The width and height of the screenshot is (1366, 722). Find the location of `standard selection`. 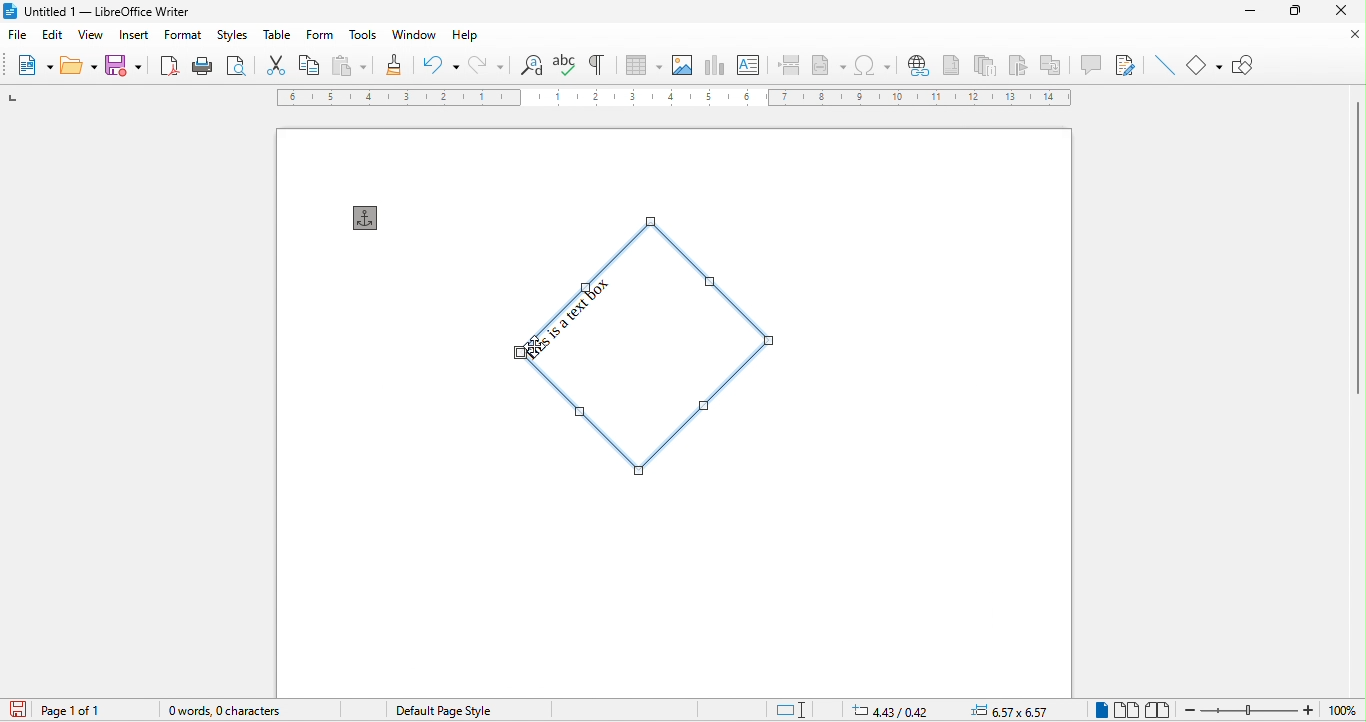

standard selection is located at coordinates (796, 708).